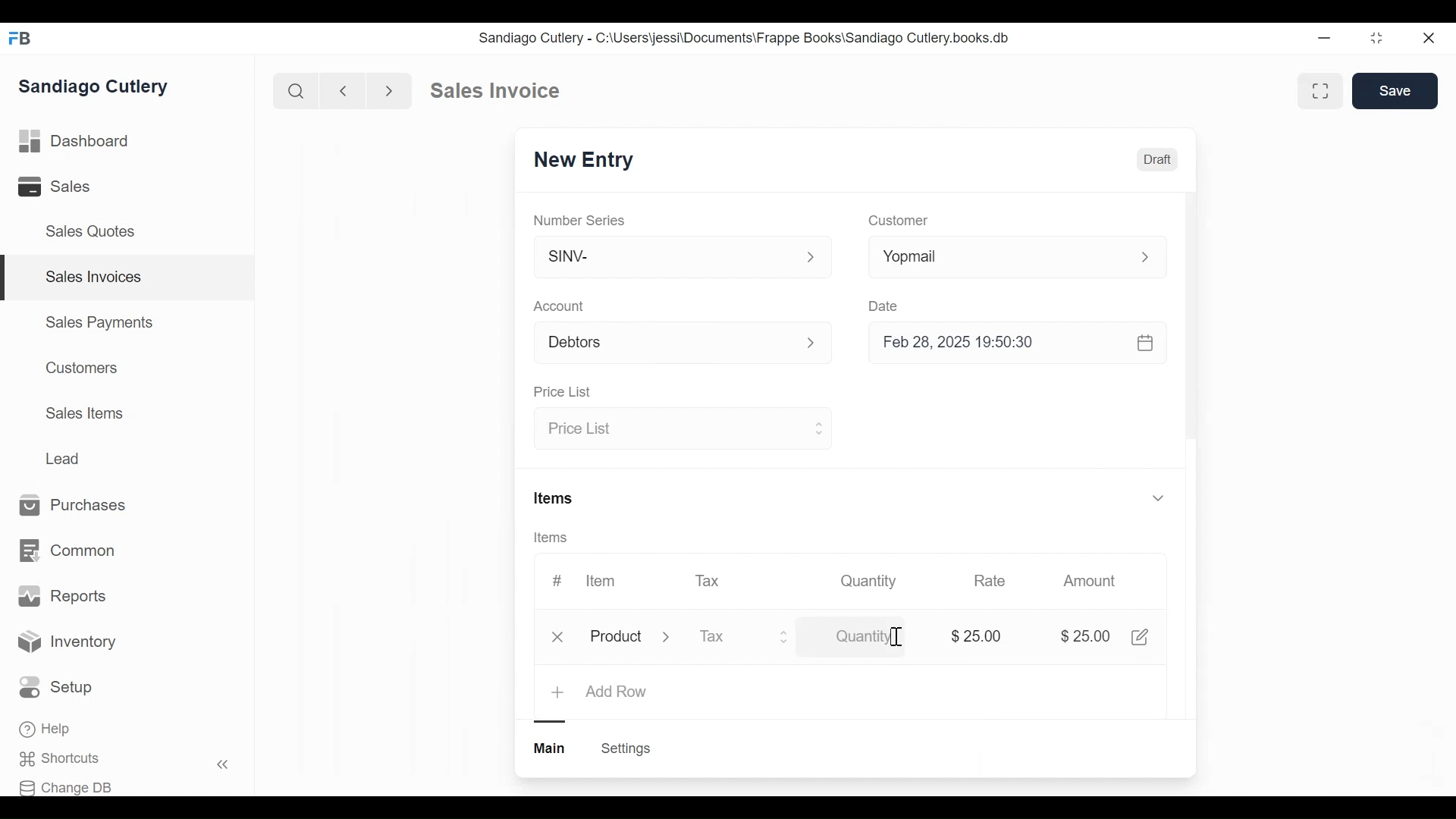 The height and width of the screenshot is (819, 1456). I want to click on forward, so click(390, 89).